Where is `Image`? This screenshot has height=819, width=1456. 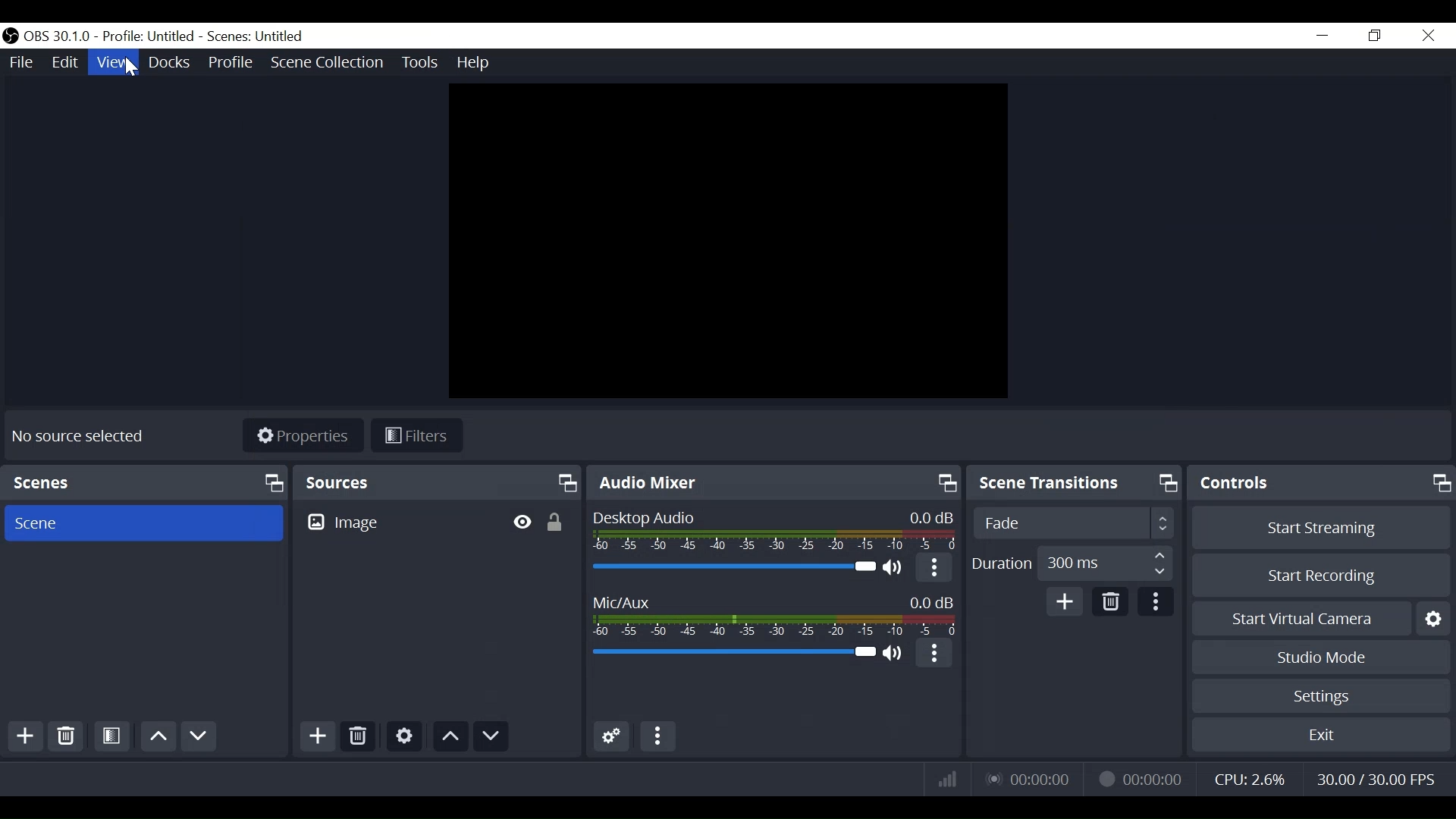
Image is located at coordinates (344, 522).